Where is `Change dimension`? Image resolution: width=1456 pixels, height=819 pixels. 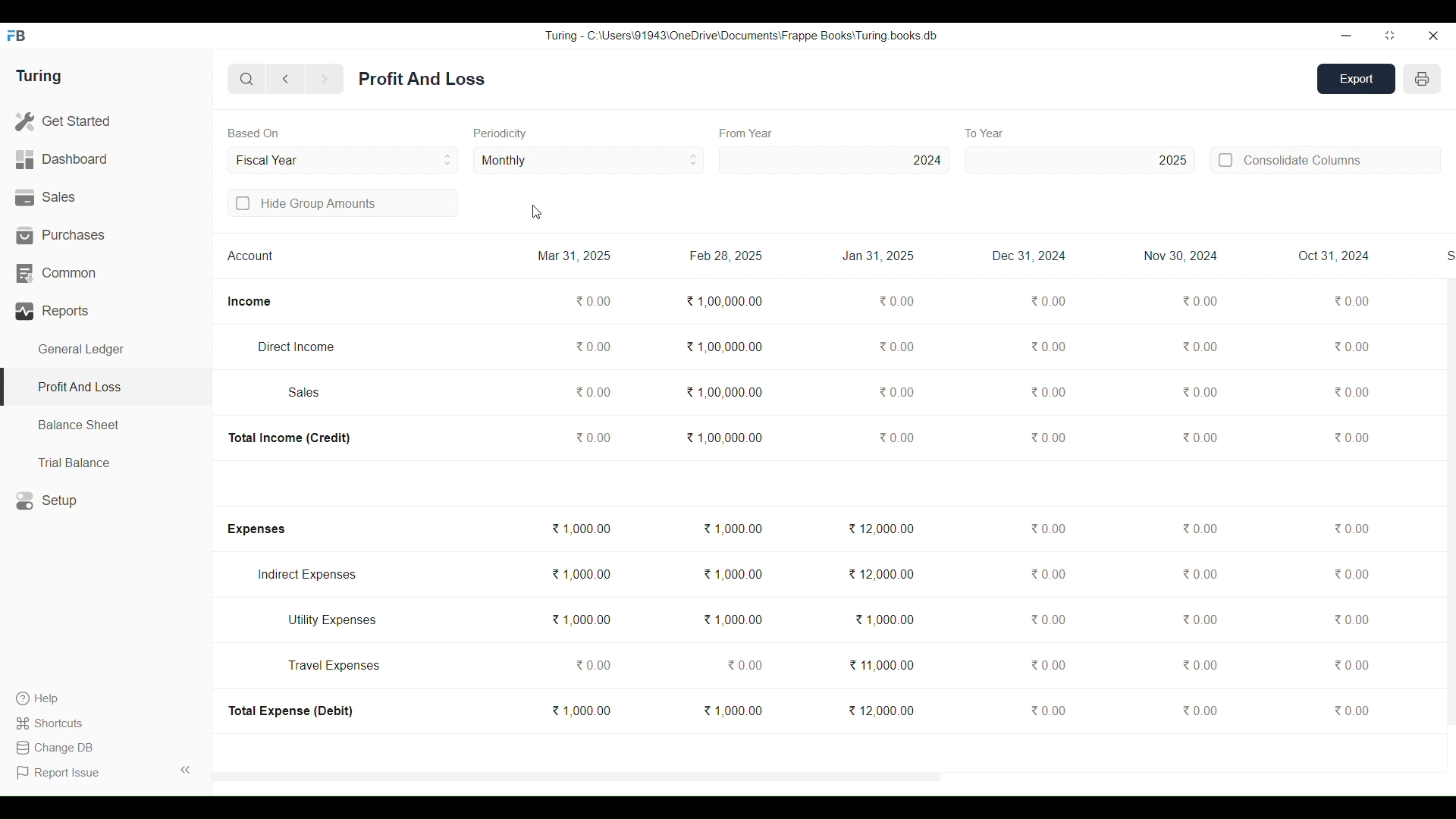
Change dimension is located at coordinates (1390, 36).